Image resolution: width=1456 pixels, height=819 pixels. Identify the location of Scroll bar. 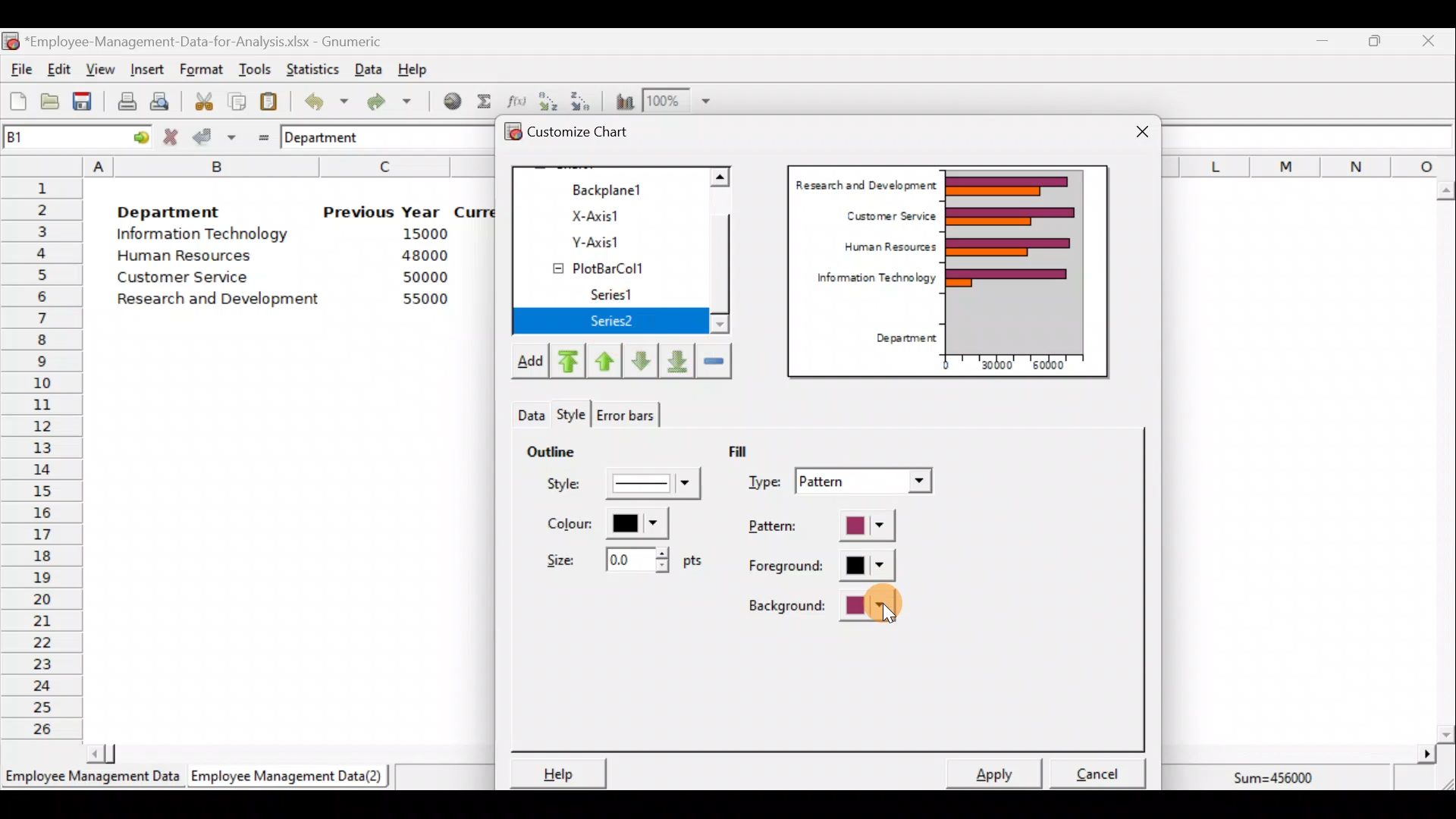
(283, 752).